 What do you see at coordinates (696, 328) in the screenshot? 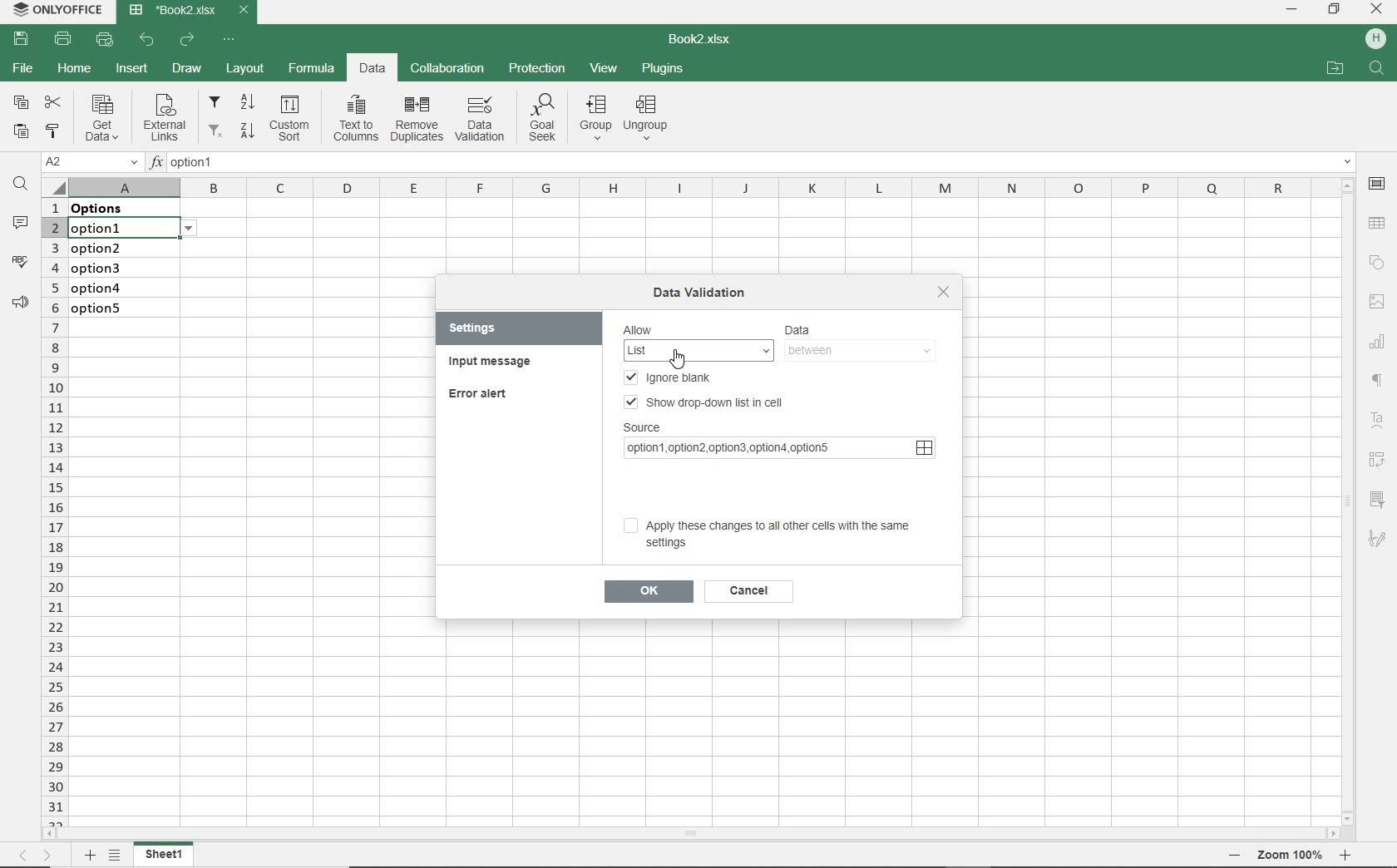
I see `Allow` at bounding box center [696, 328].